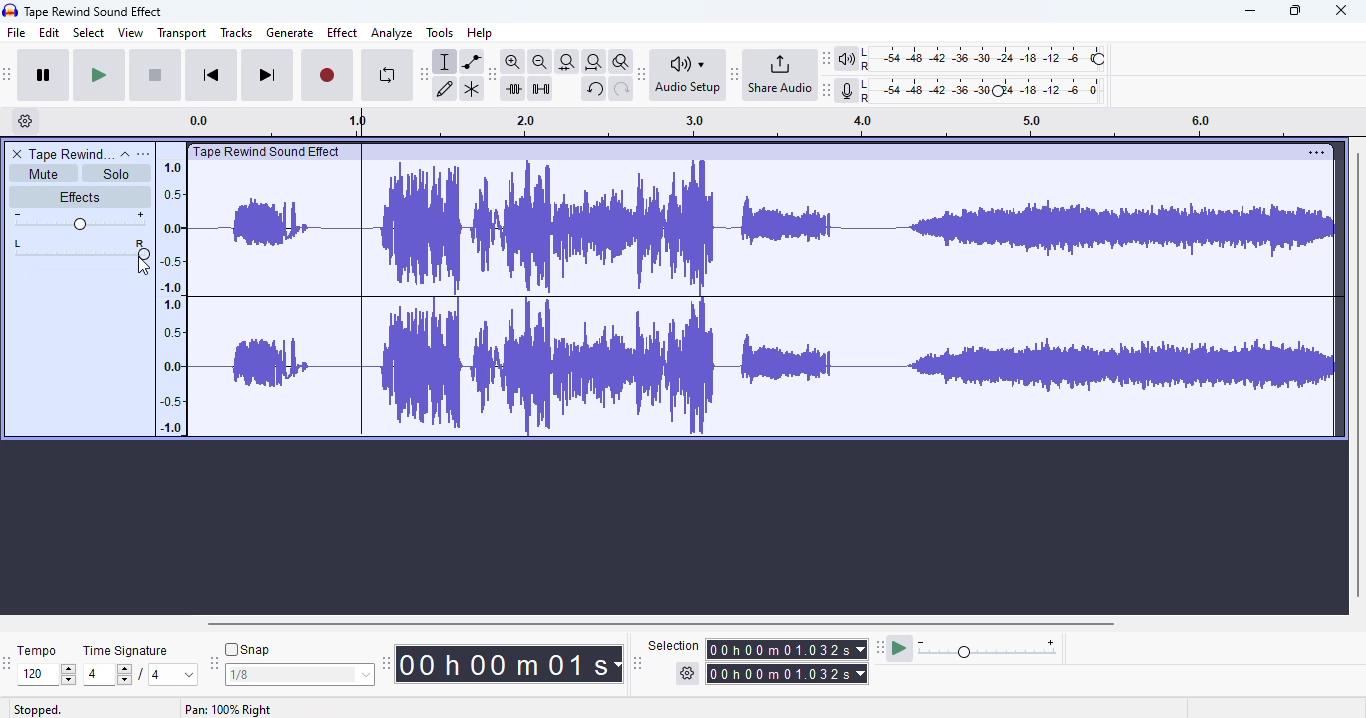 The image size is (1366, 718). What do you see at coordinates (388, 75) in the screenshot?
I see `enable looping` at bounding box center [388, 75].